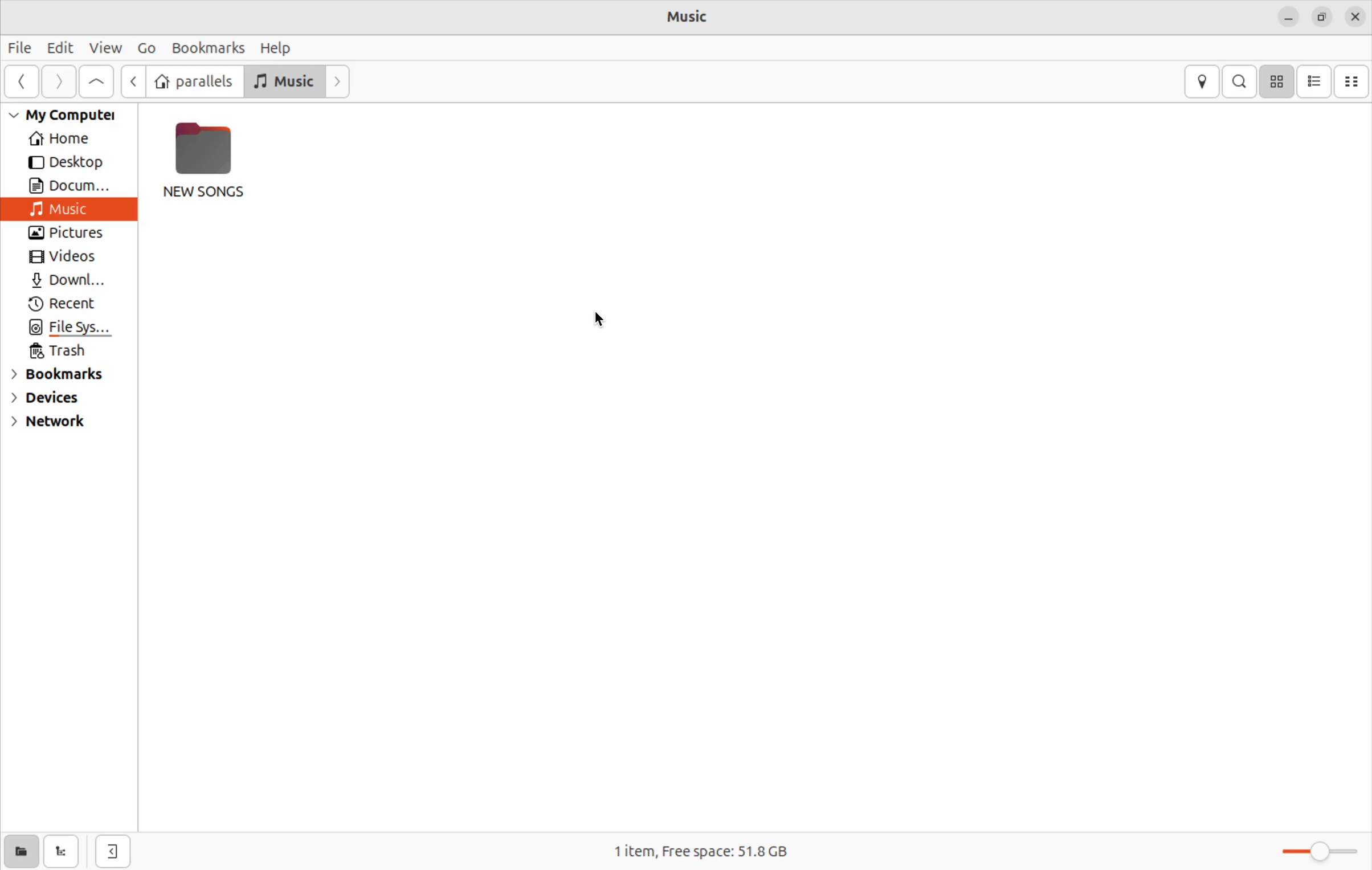 The image size is (1372, 870). I want to click on Bookmarks, so click(207, 47).